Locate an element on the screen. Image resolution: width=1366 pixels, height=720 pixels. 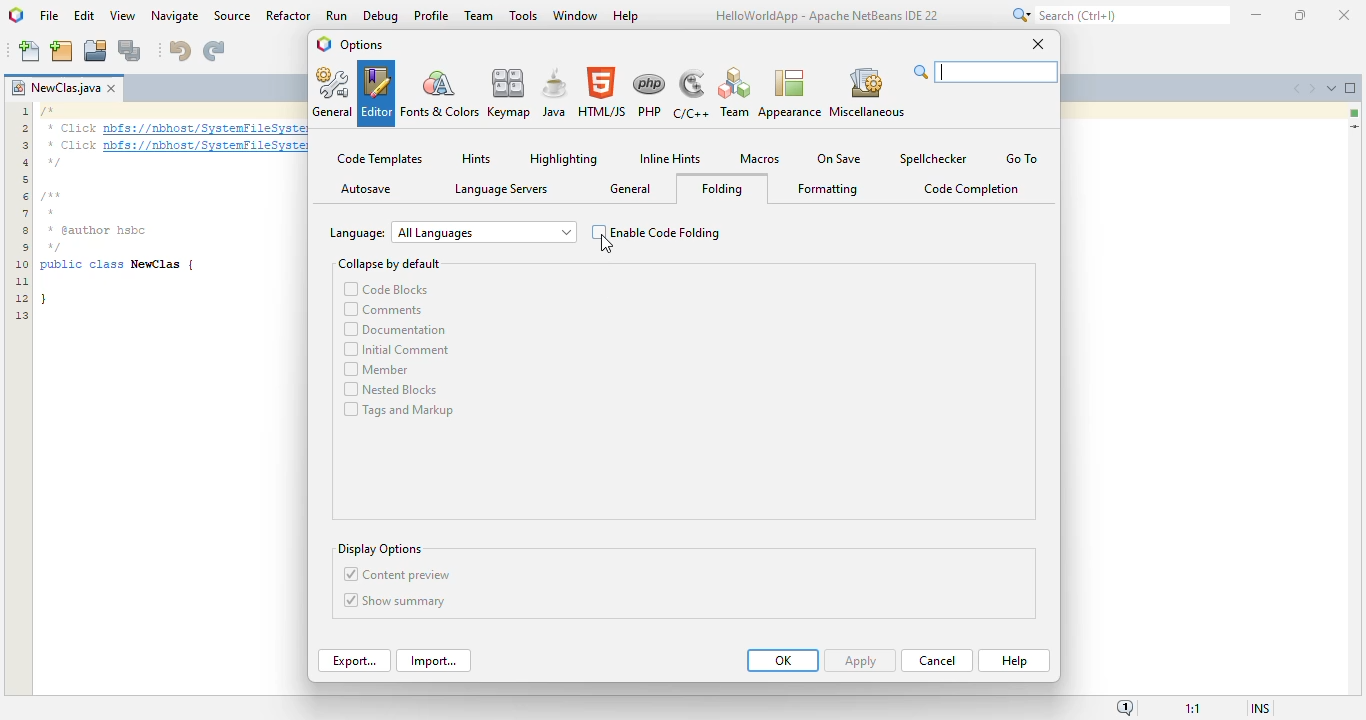
no errors is located at coordinates (1355, 113).